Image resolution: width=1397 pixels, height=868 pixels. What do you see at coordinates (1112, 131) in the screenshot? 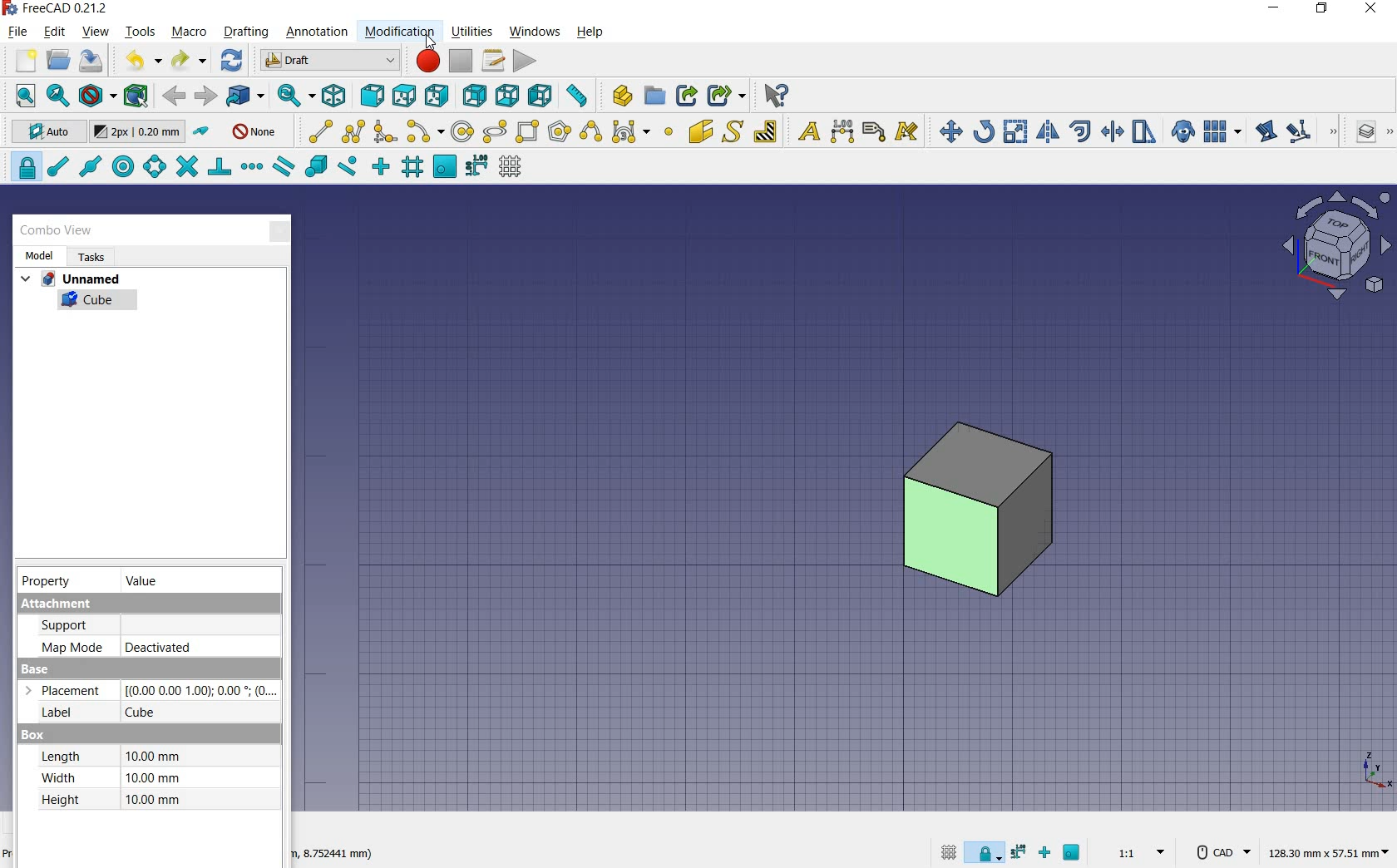
I see `trimex` at bounding box center [1112, 131].